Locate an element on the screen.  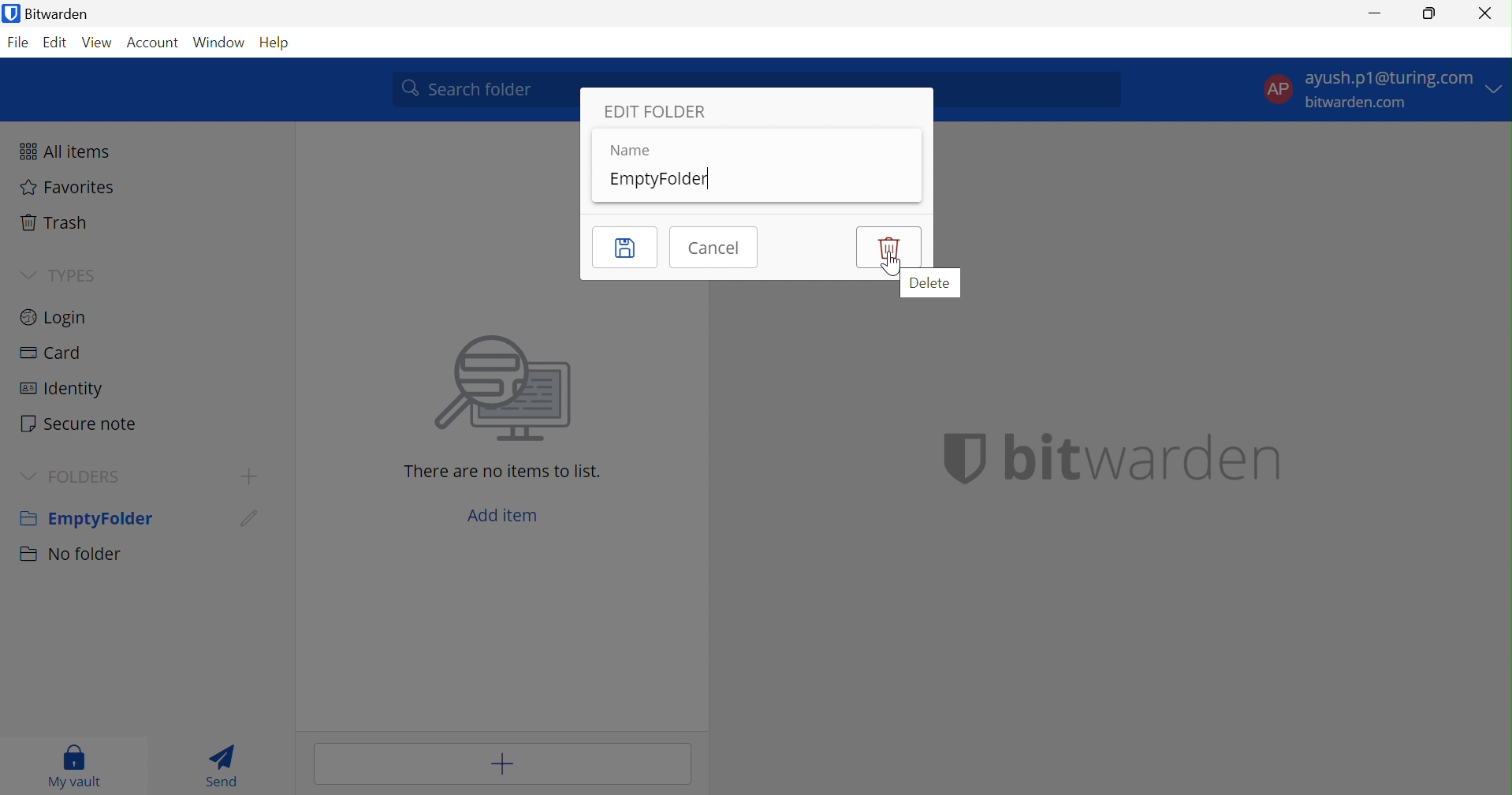
Delete is located at coordinates (931, 283).